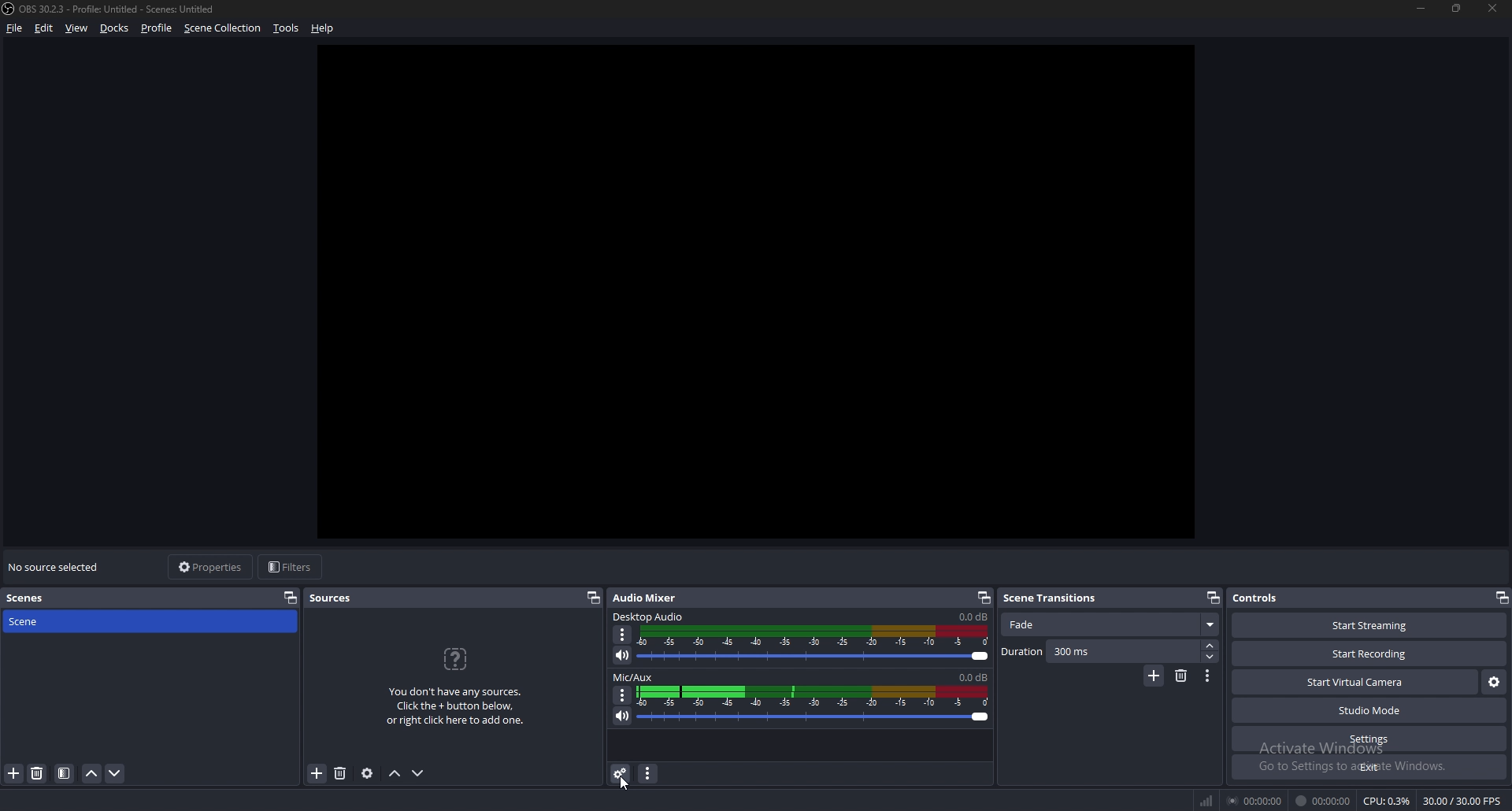  What do you see at coordinates (124, 6) in the screenshot?
I see `ObS 30.2.3 - Profile: Untitled - Scenes: Untitled` at bounding box center [124, 6].